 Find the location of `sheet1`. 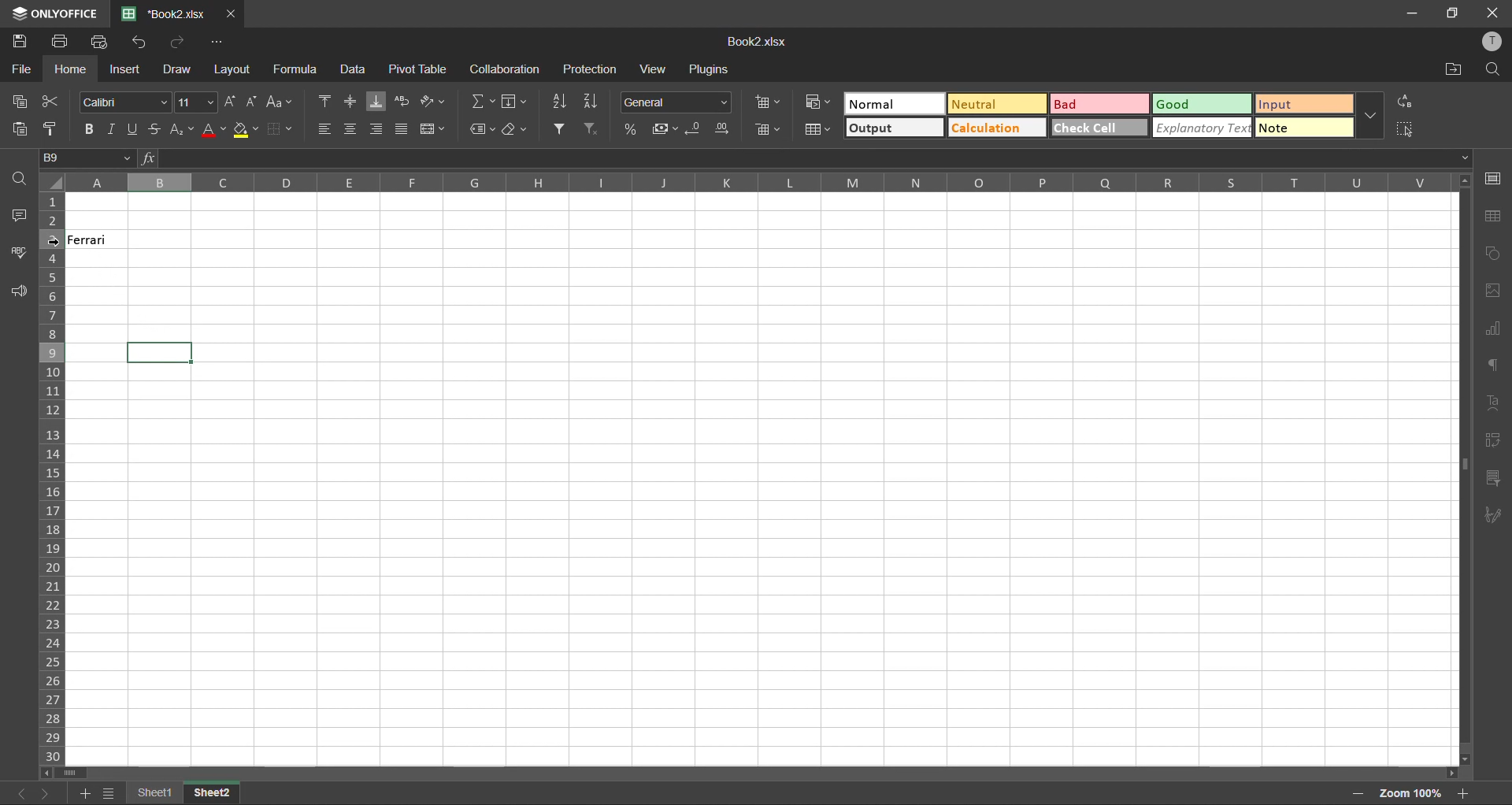

sheet1 is located at coordinates (158, 791).